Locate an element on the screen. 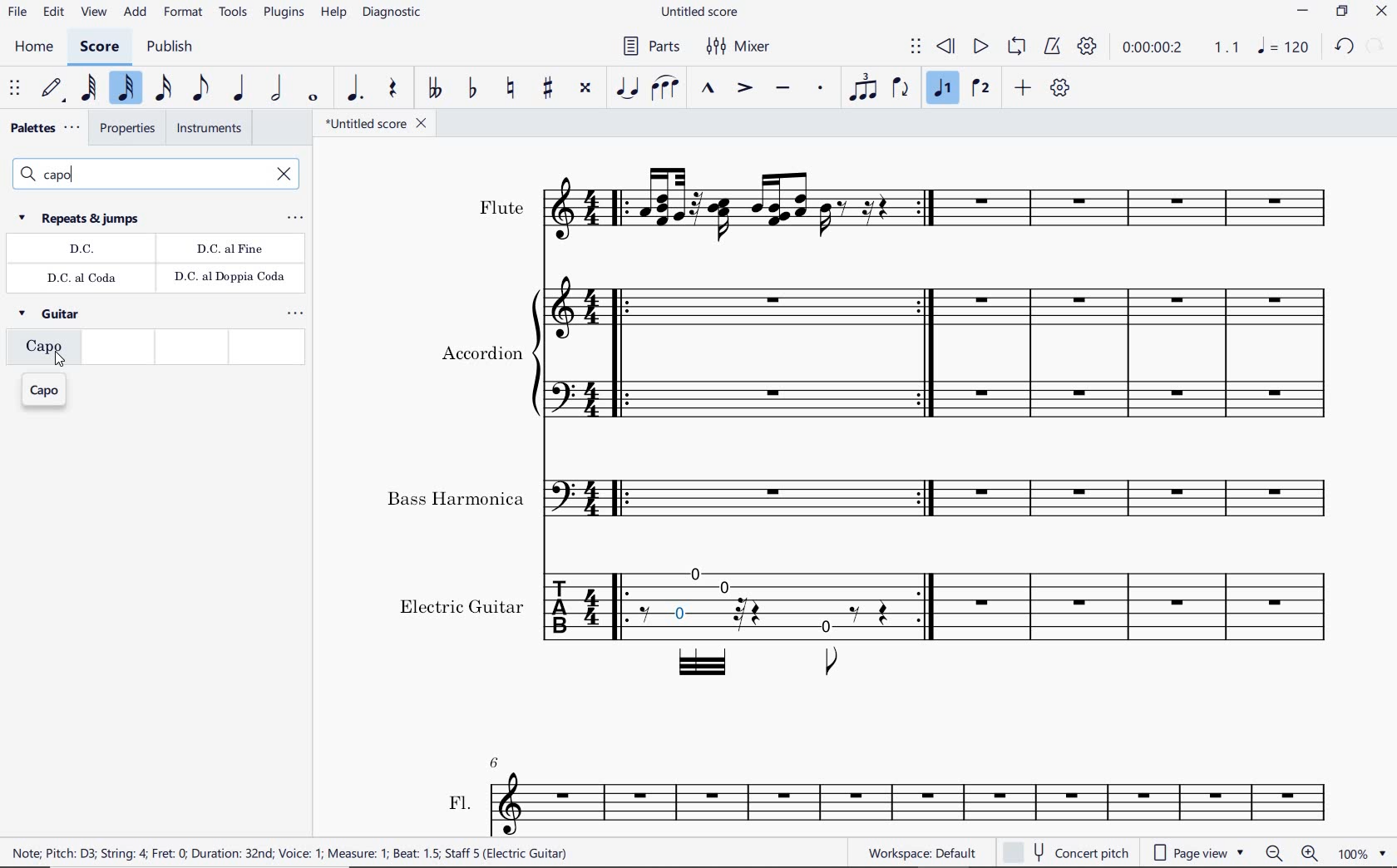 The width and height of the screenshot is (1397, 868). properties is located at coordinates (126, 131).